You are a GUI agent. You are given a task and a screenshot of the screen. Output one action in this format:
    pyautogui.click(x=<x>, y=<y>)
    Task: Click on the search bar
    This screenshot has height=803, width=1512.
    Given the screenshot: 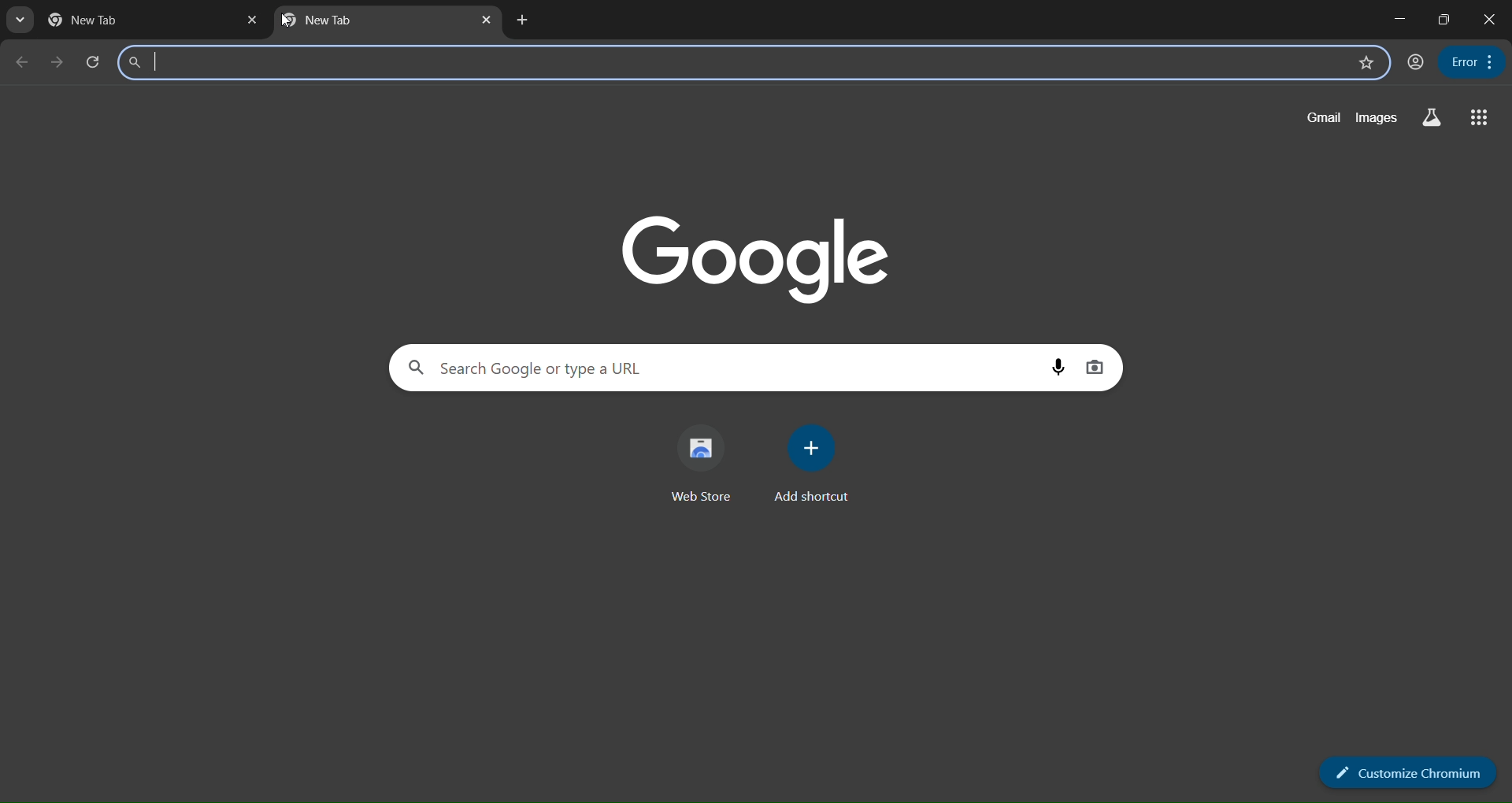 What is the action you would take?
    pyautogui.click(x=742, y=62)
    